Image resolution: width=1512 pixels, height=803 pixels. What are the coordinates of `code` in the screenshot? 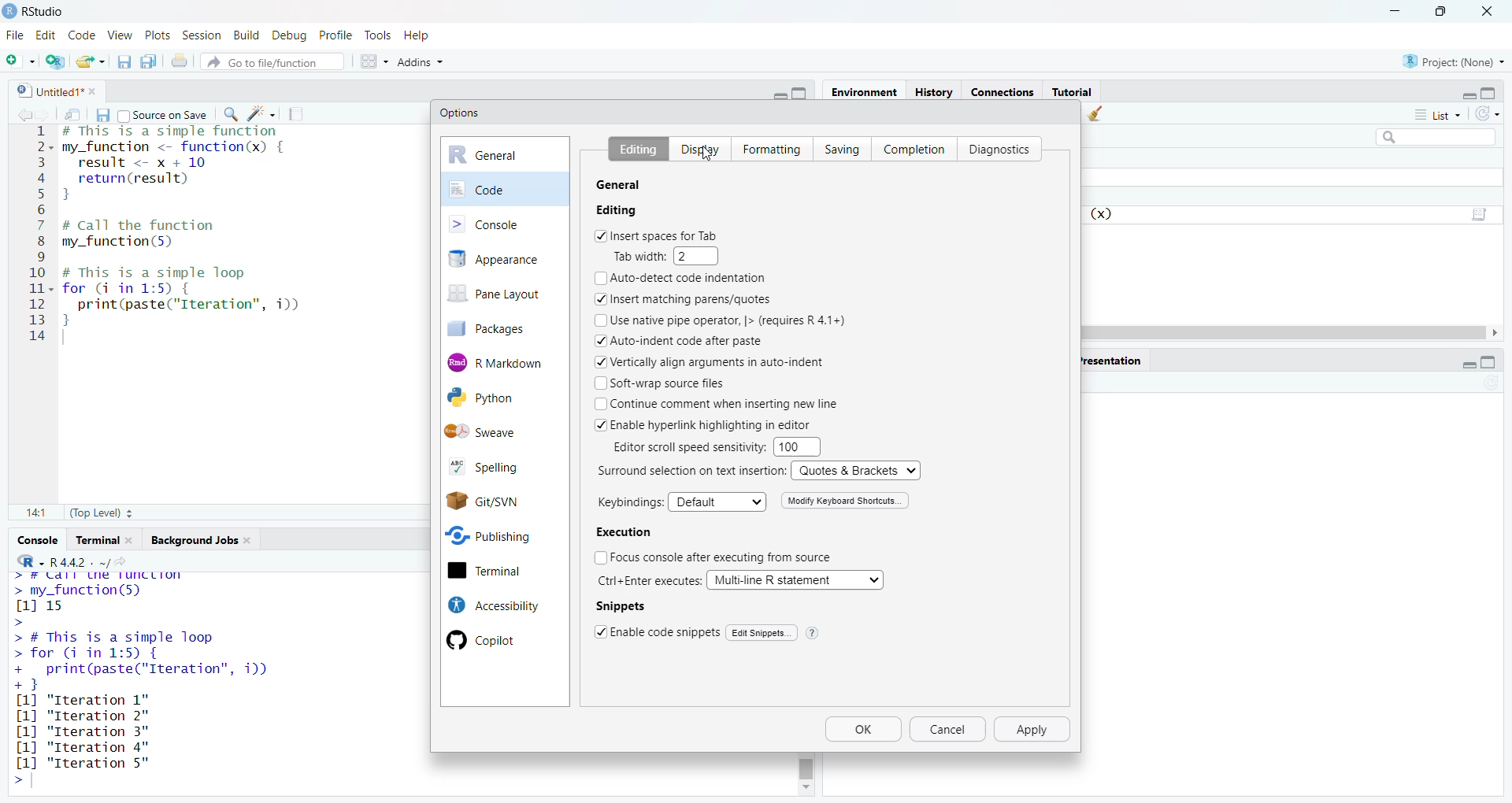 It's located at (506, 188).